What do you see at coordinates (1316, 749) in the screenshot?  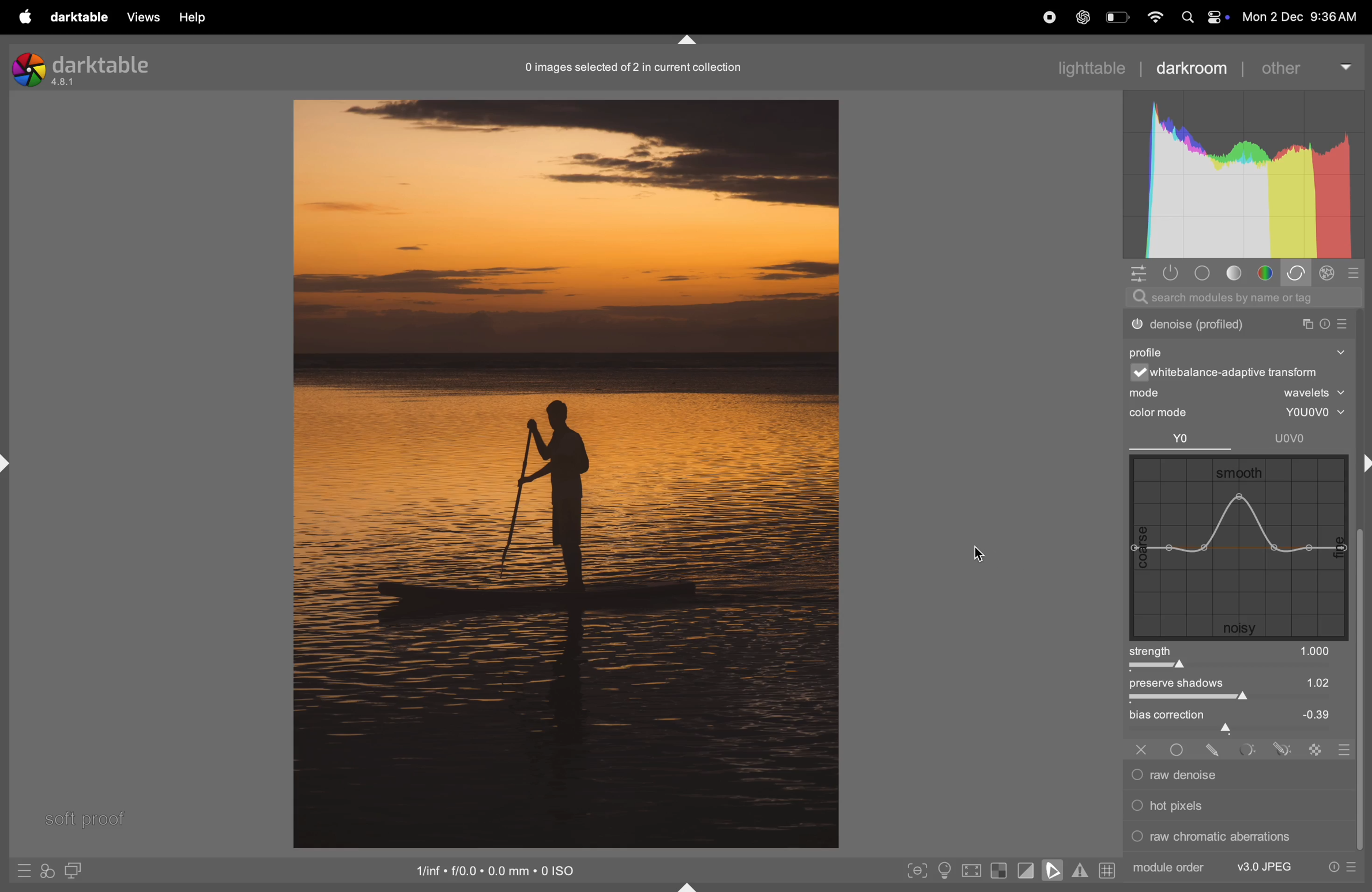 I see `sign` at bounding box center [1316, 749].